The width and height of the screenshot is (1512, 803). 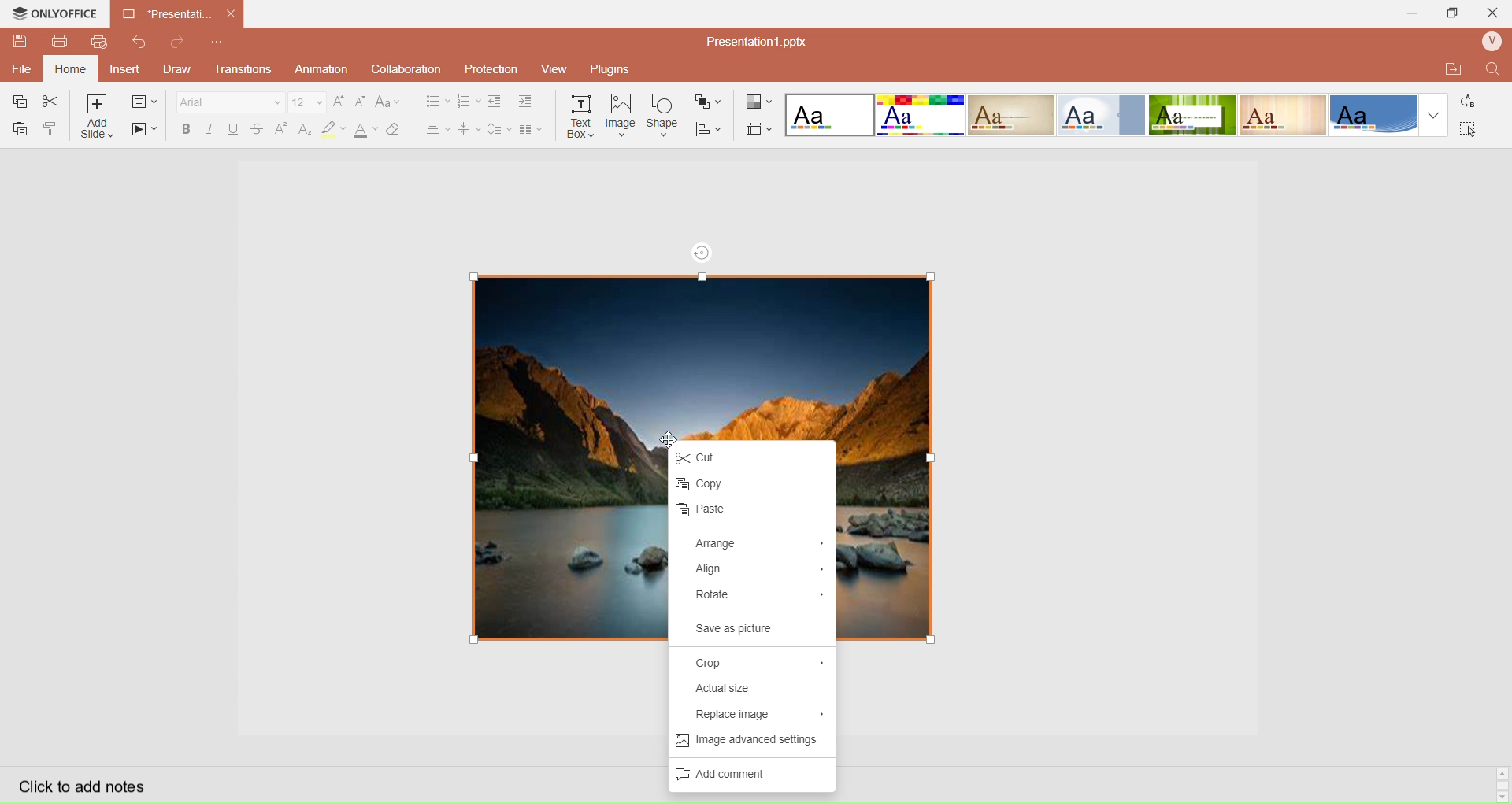 I want to click on Replace, so click(x=1469, y=100).